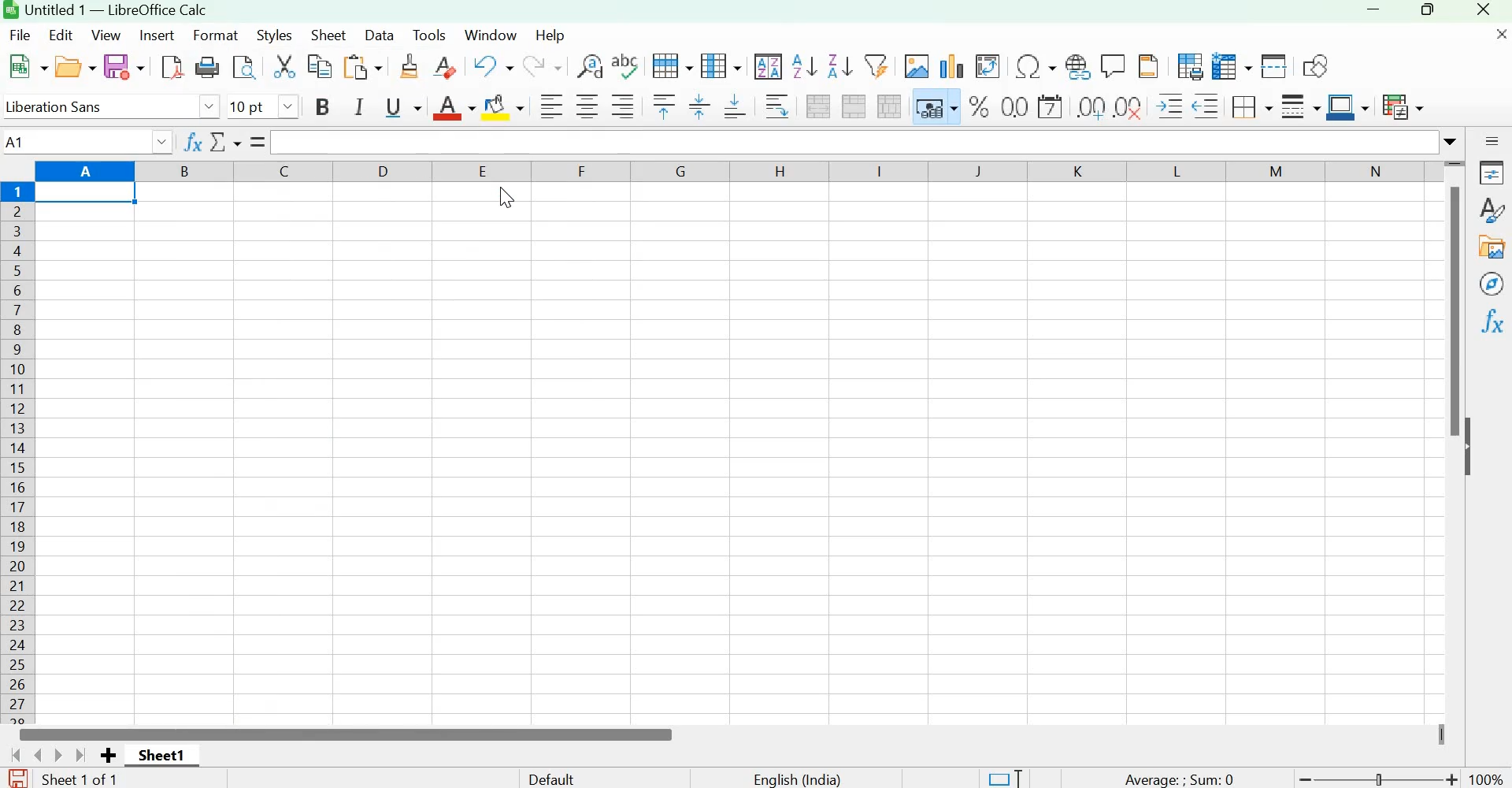  What do you see at coordinates (889, 106) in the screenshot?
I see `Unmerge cells` at bounding box center [889, 106].